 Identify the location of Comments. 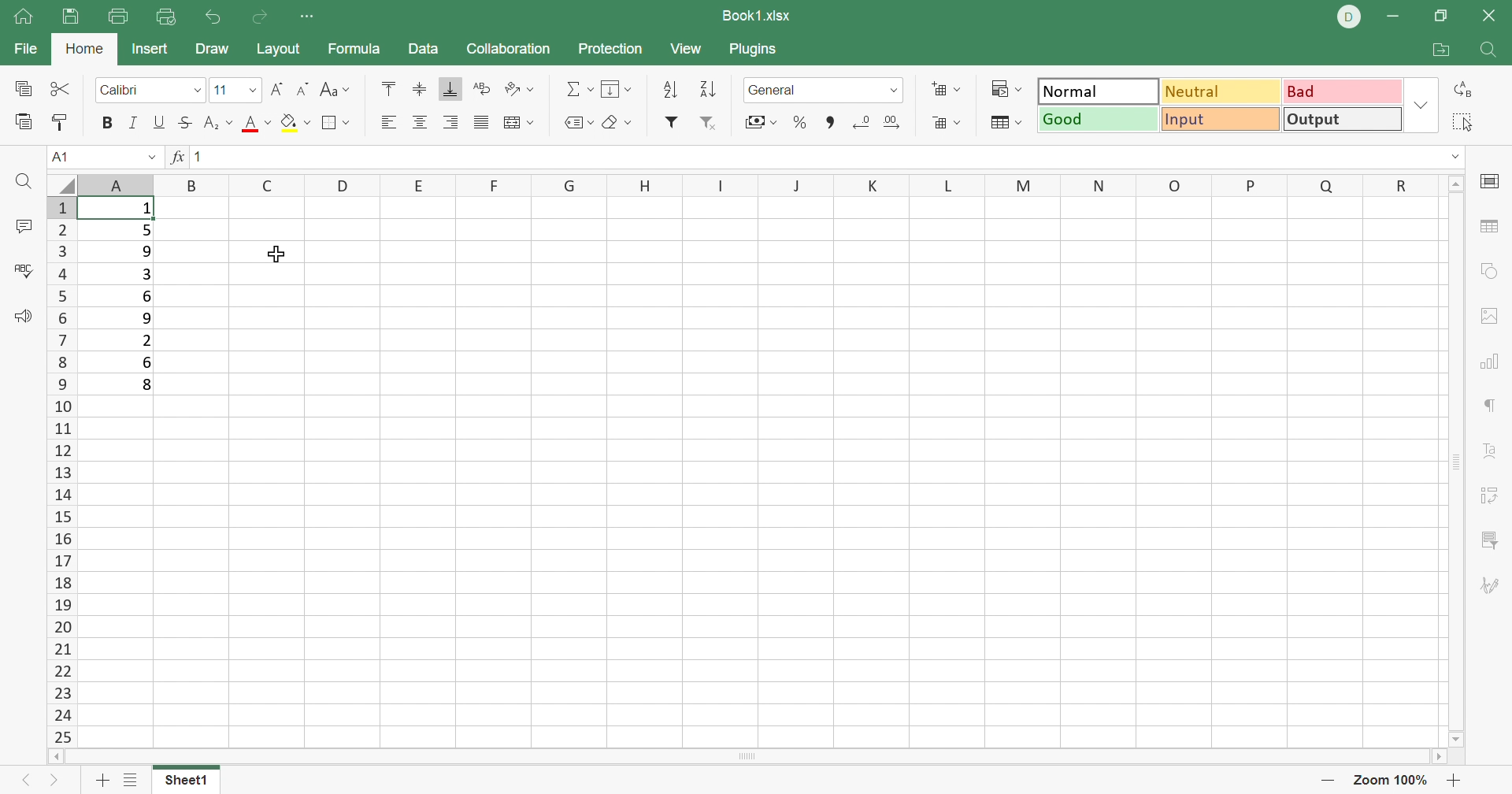
(26, 226).